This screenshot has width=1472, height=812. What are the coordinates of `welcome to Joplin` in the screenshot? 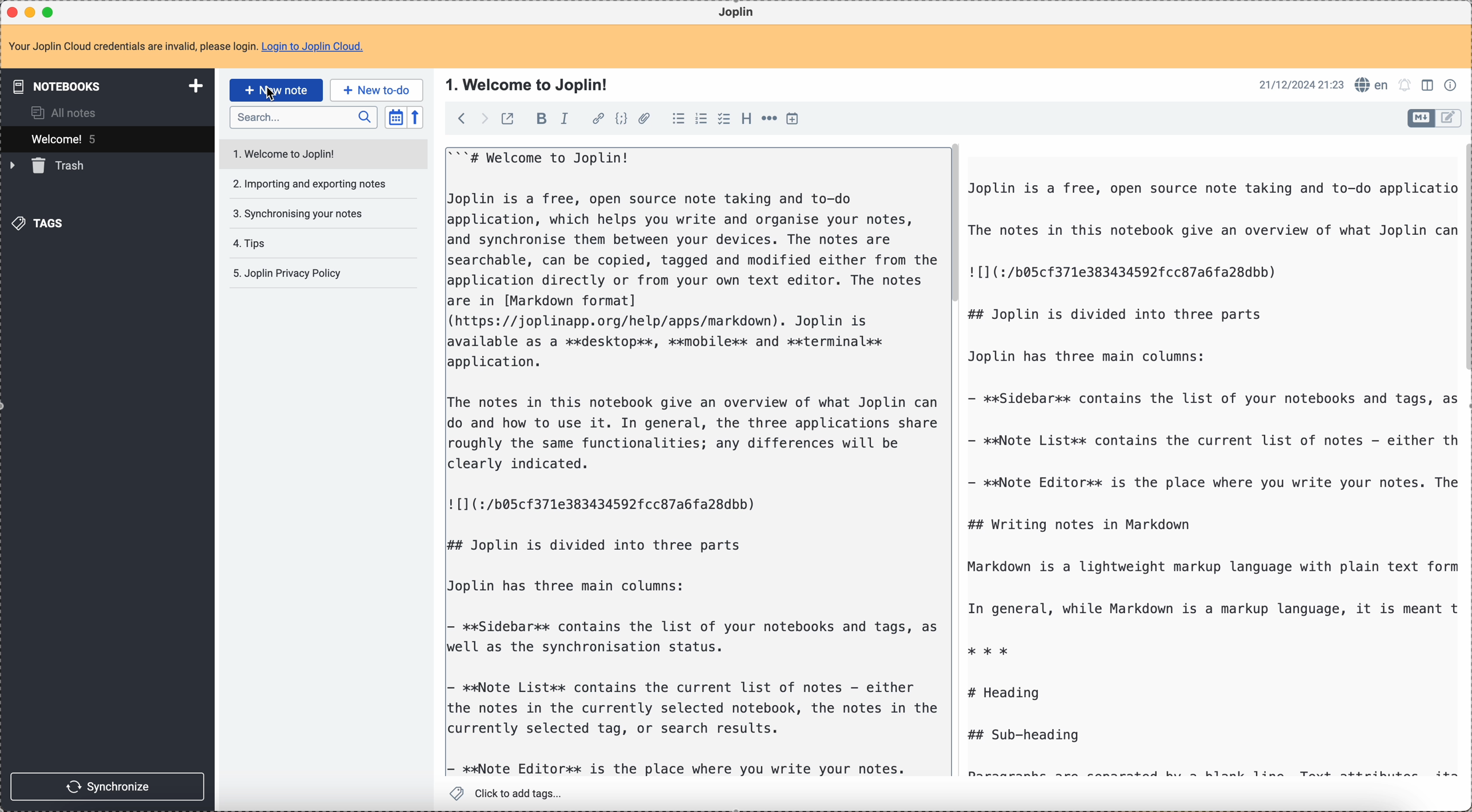 It's located at (318, 153).